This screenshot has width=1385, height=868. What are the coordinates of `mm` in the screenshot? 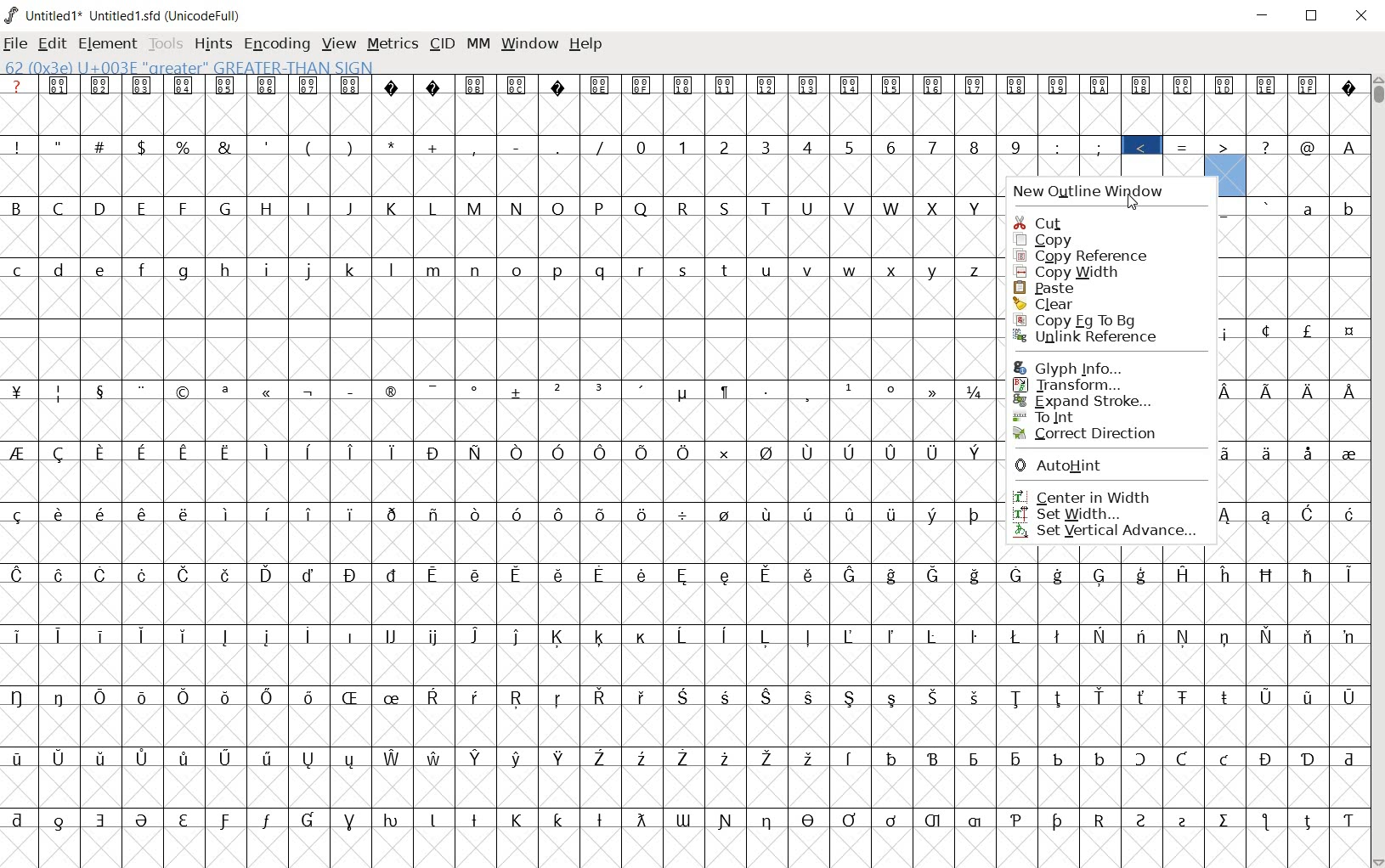 It's located at (478, 45).